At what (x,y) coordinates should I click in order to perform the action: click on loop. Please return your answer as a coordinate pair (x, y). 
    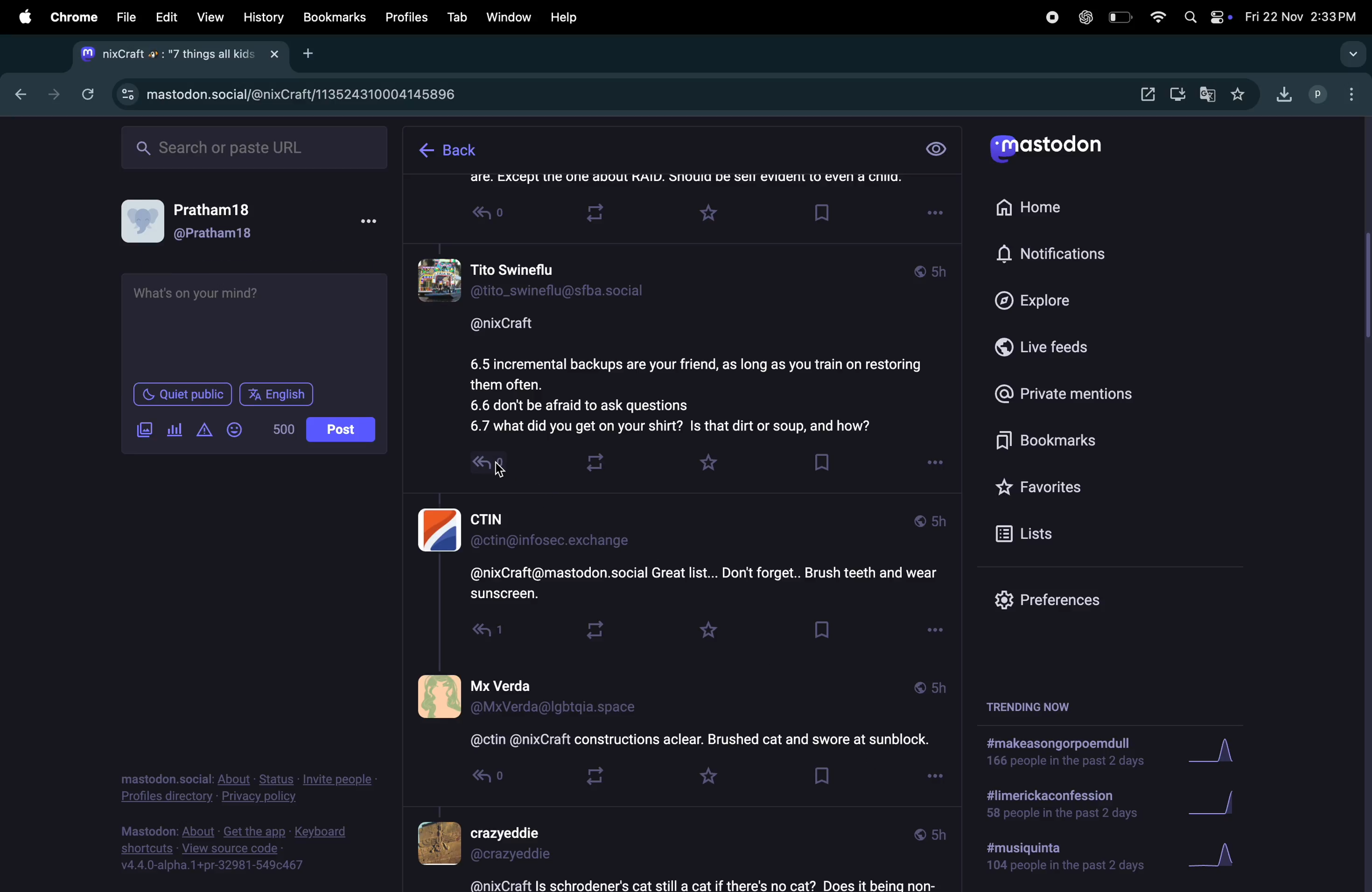
    Looking at the image, I should click on (595, 632).